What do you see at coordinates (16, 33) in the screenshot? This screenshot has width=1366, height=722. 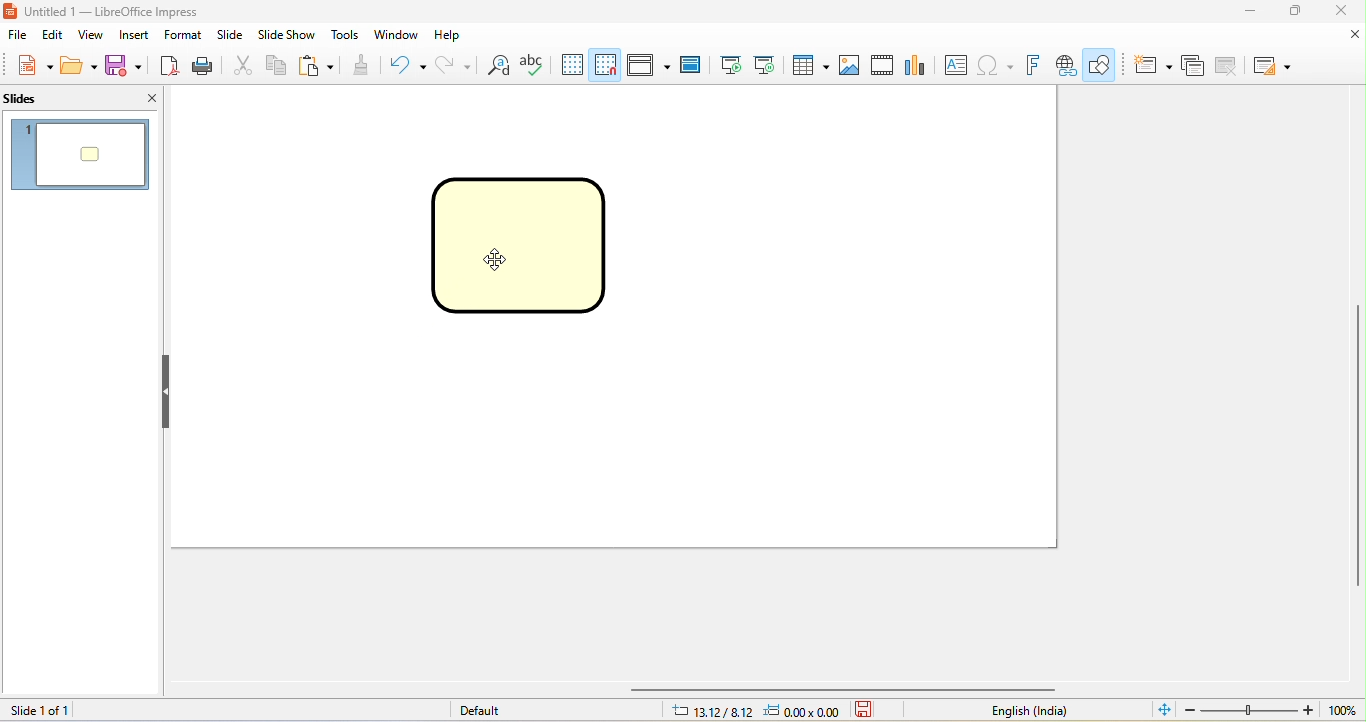 I see `file` at bounding box center [16, 33].